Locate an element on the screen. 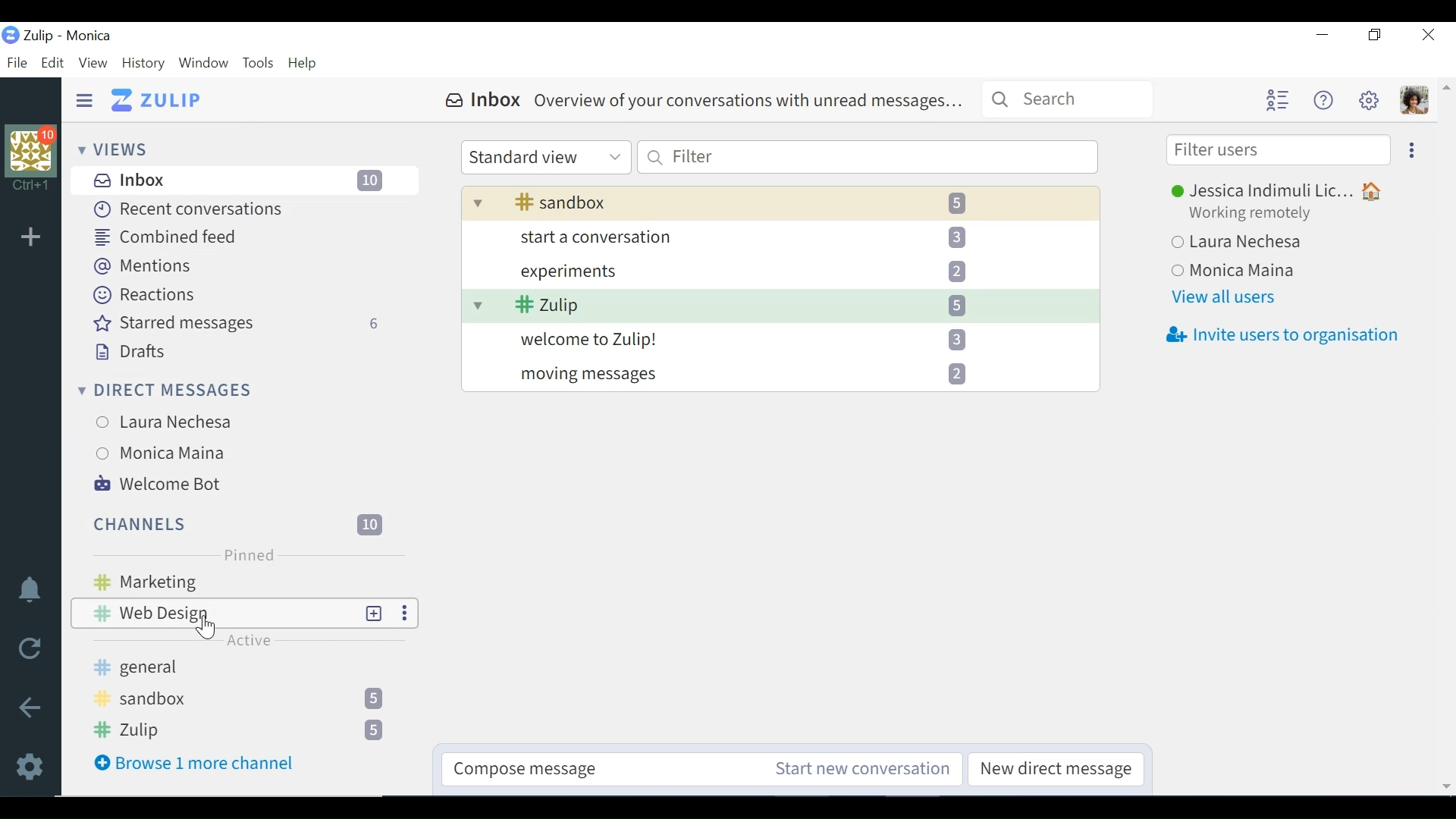  sandbox channel dropdown is located at coordinates (780, 202).